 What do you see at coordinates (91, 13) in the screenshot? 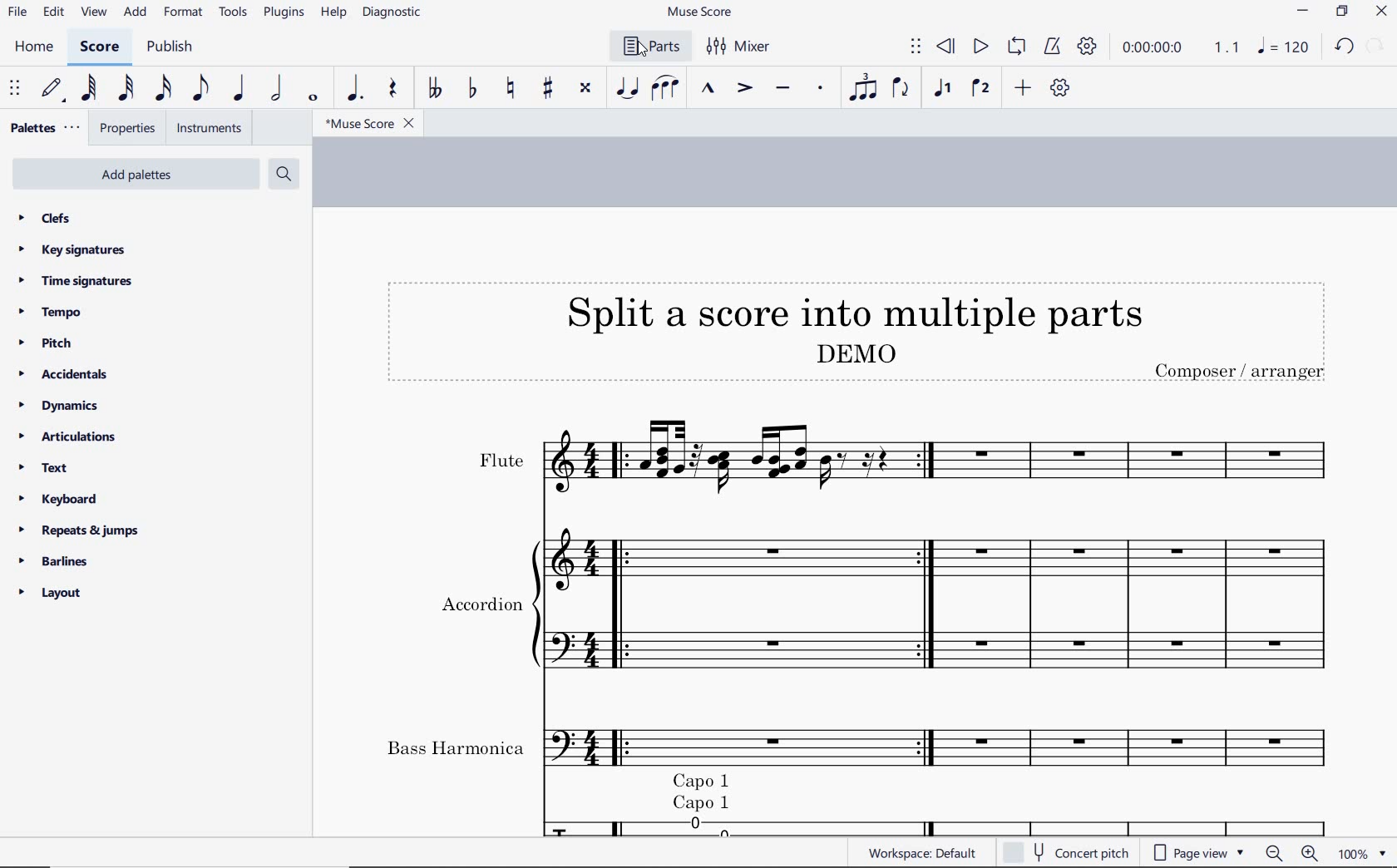
I see `view` at bounding box center [91, 13].